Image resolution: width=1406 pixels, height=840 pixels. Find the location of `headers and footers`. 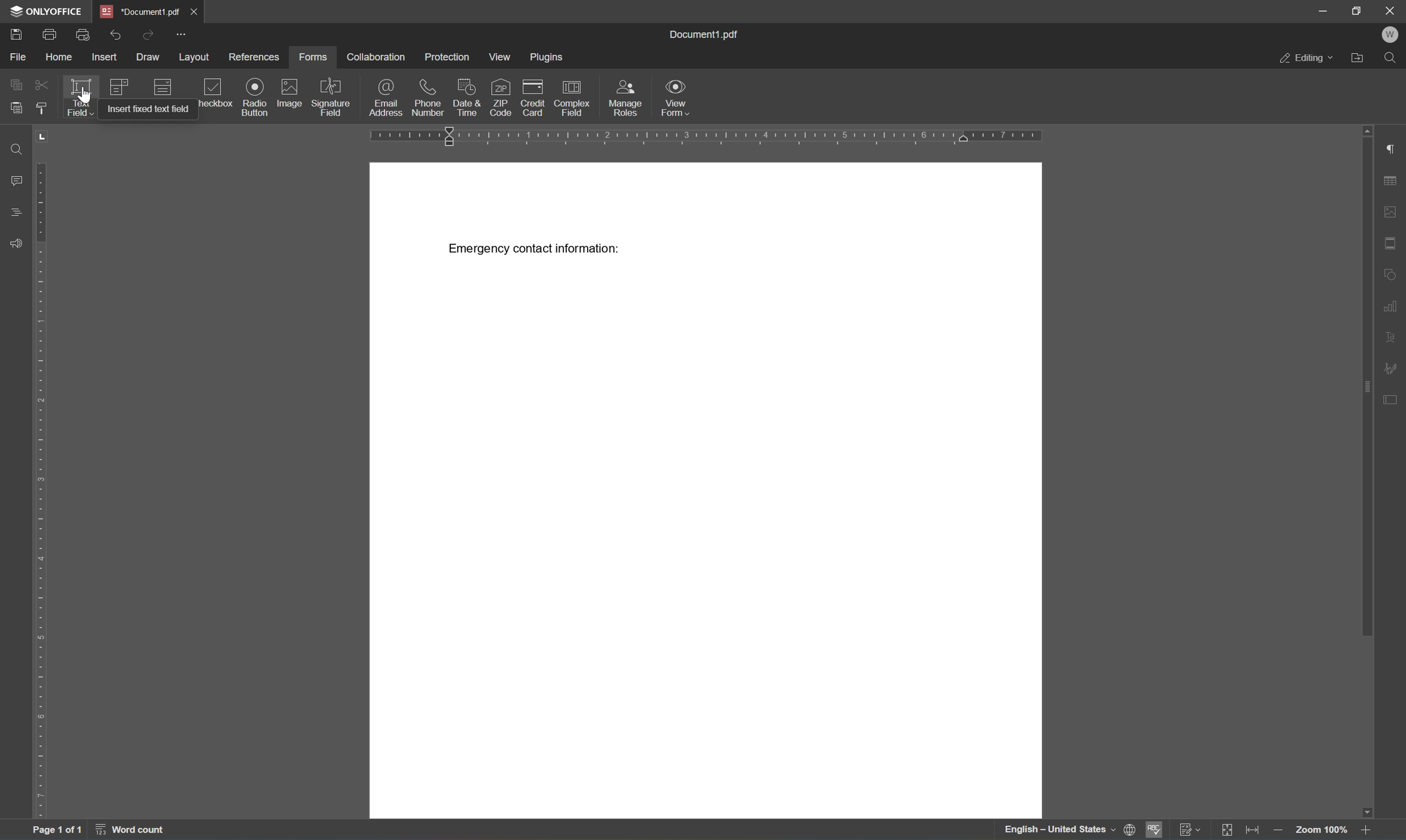

headers and footers is located at coordinates (1393, 239).